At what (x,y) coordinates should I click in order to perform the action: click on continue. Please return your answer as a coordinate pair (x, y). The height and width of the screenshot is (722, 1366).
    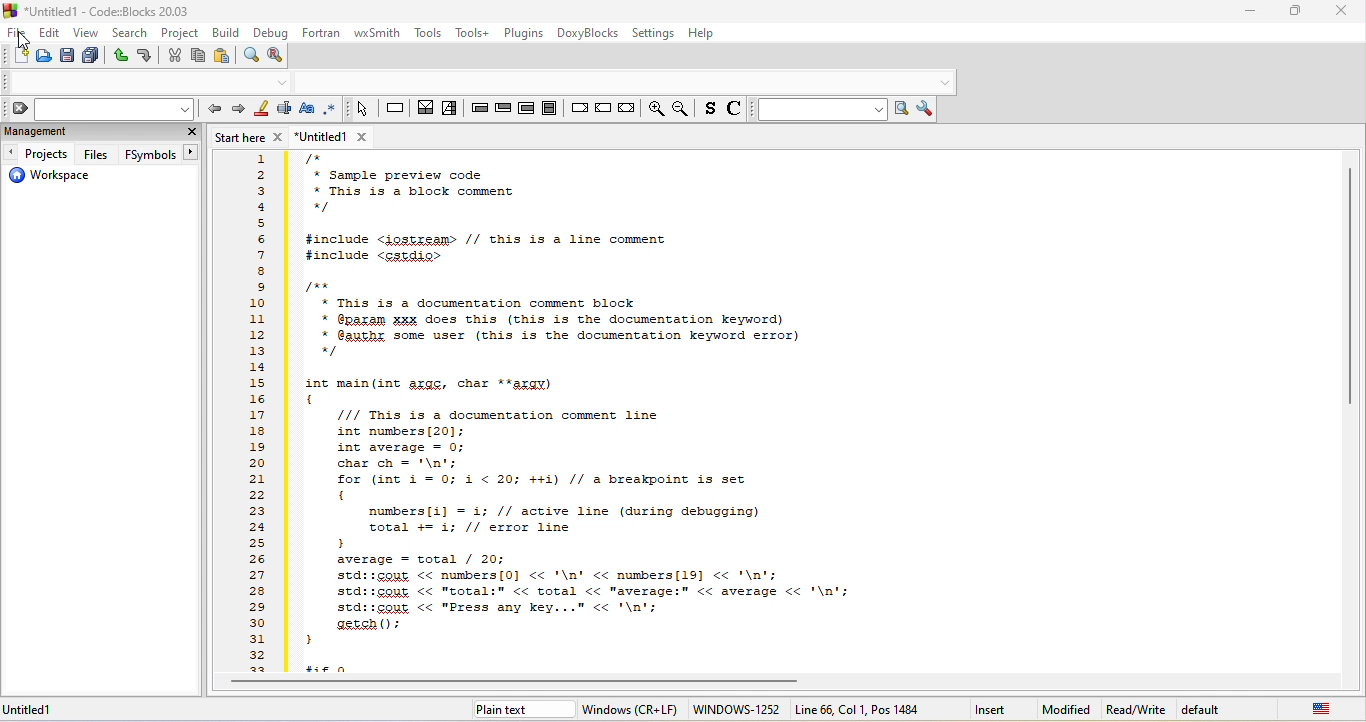
    Looking at the image, I should click on (602, 106).